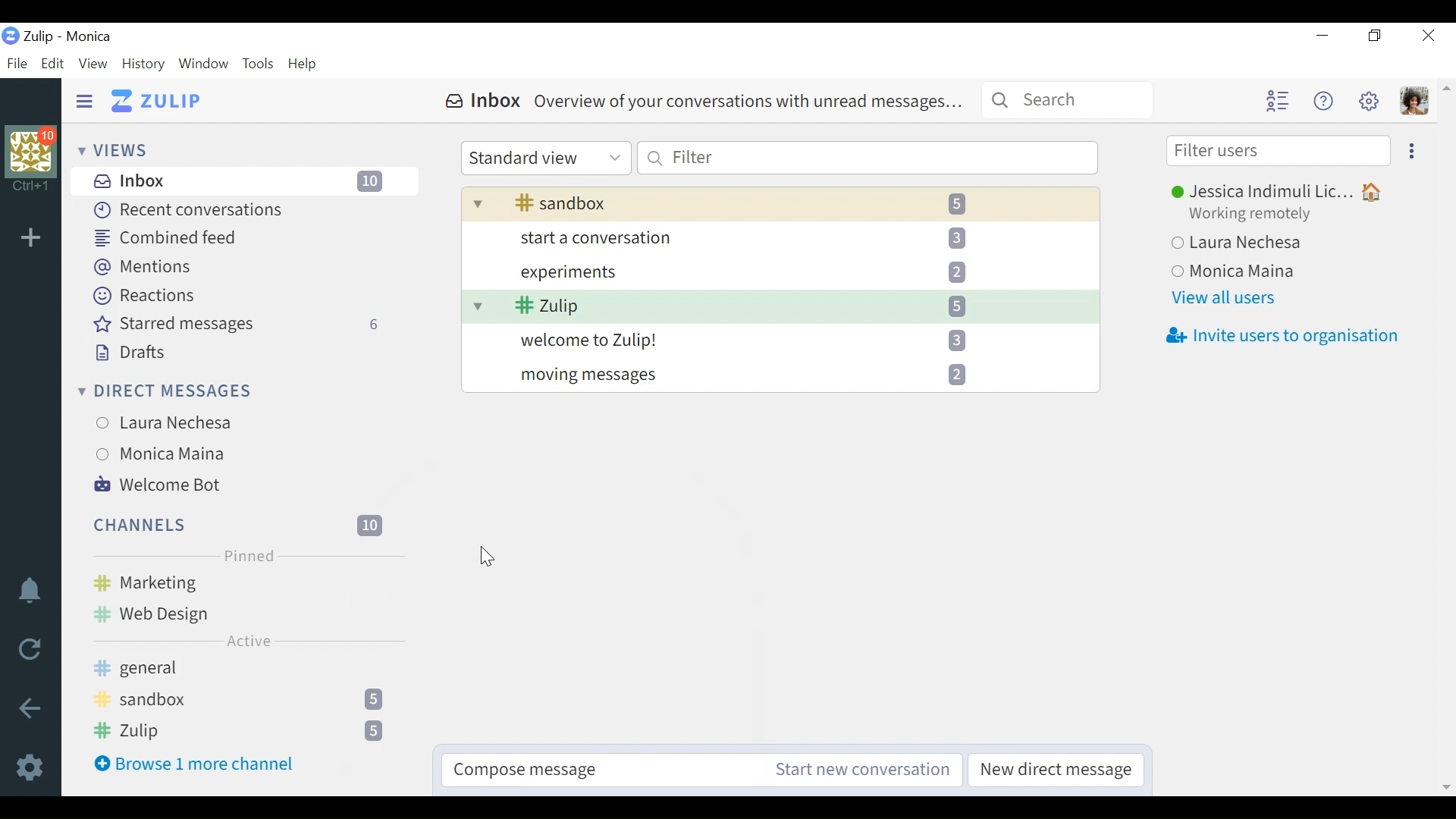  Describe the element at coordinates (34, 239) in the screenshot. I see `Add organisation` at that location.